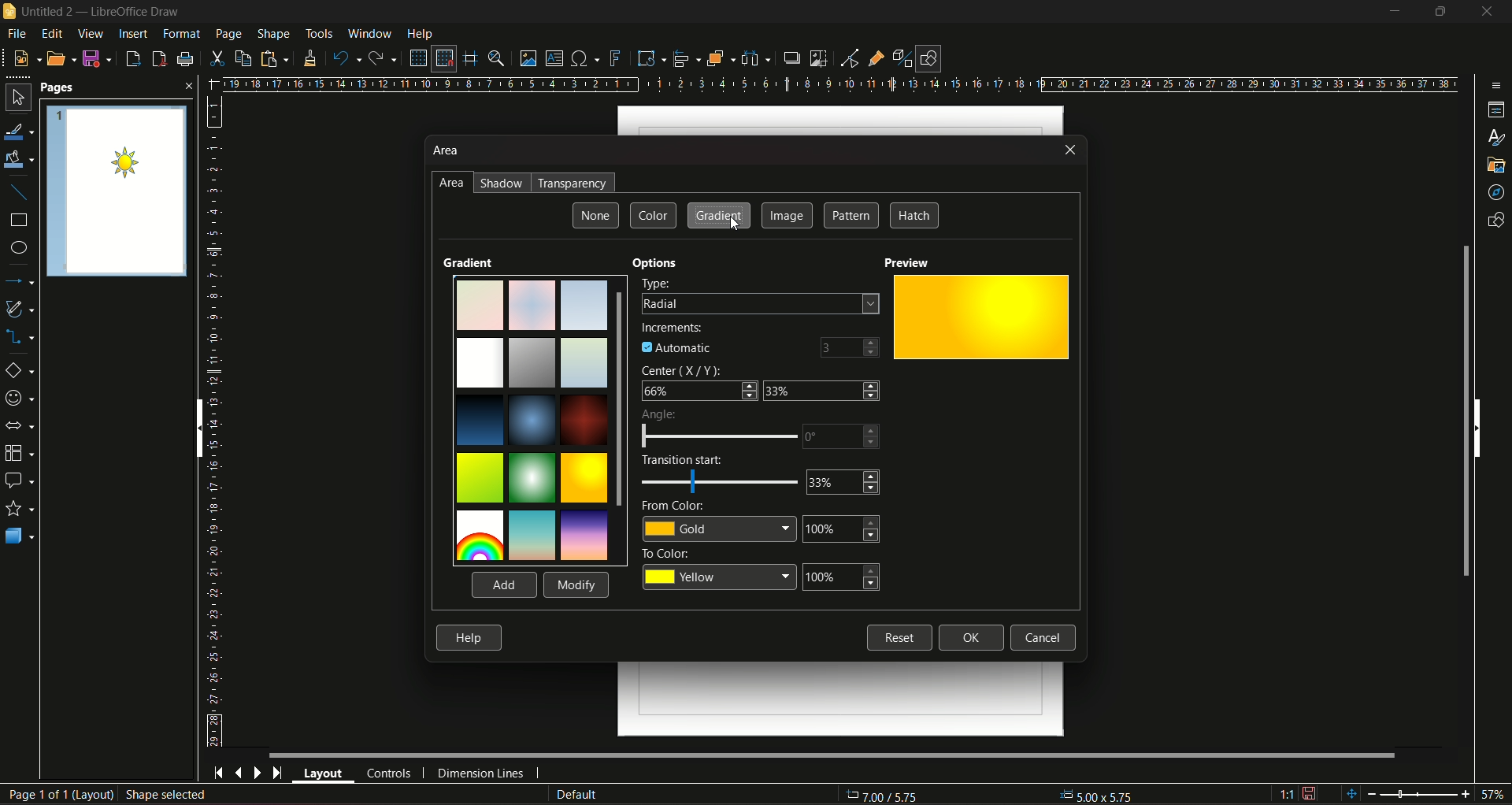 The image size is (1512, 805). Describe the element at coordinates (471, 639) in the screenshot. I see `Help` at that location.